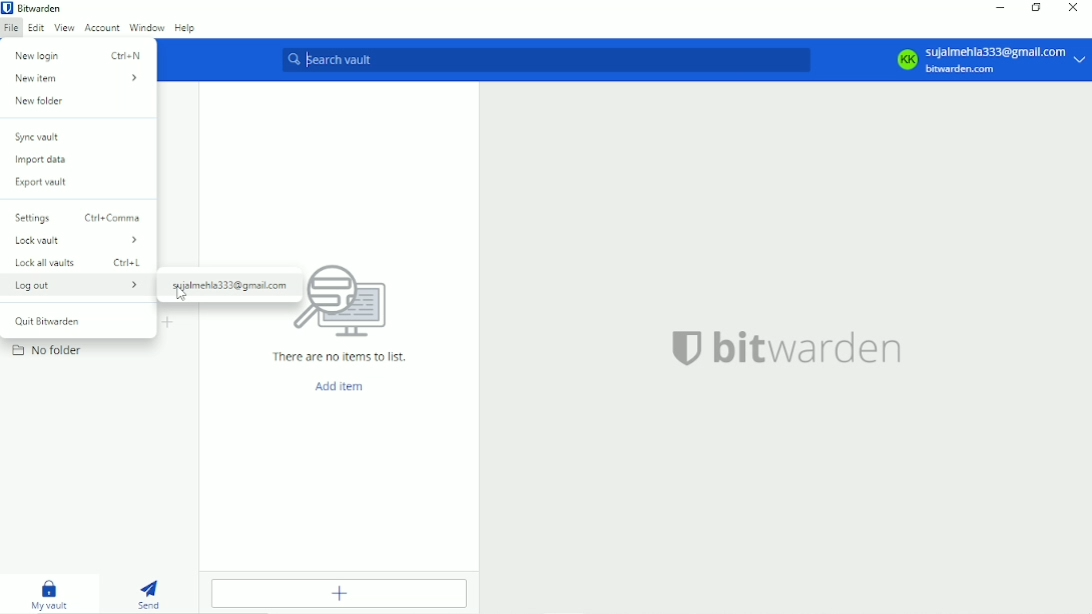 Image resolution: width=1092 pixels, height=614 pixels. What do you see at coordinates (145, 27) in the screenshot?
I see `Window` at bounding box center [145, 27].